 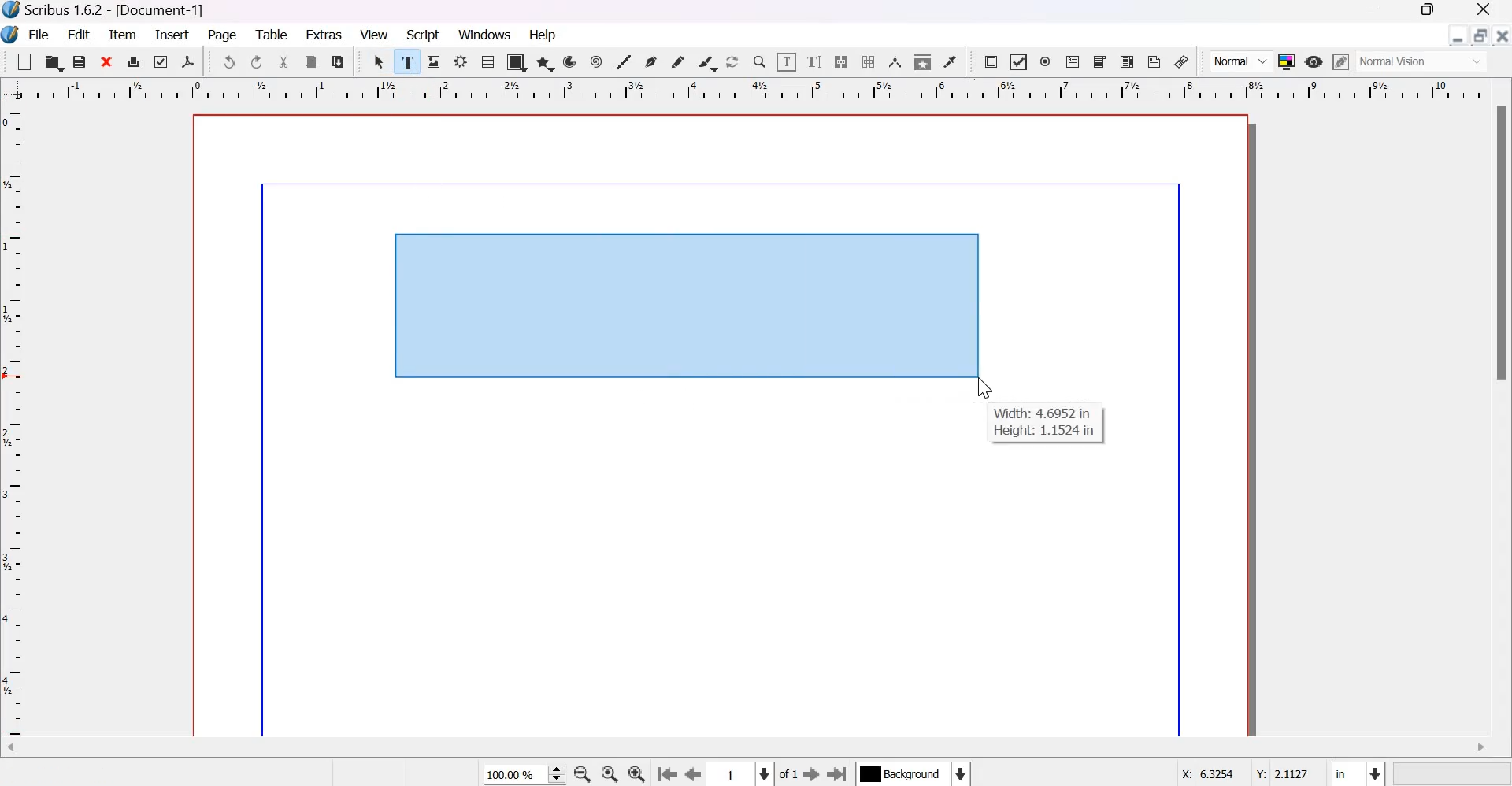 What do you see at coordinates (733, 61) in the screenshot?
I see `` at bounding box center [733, 61].